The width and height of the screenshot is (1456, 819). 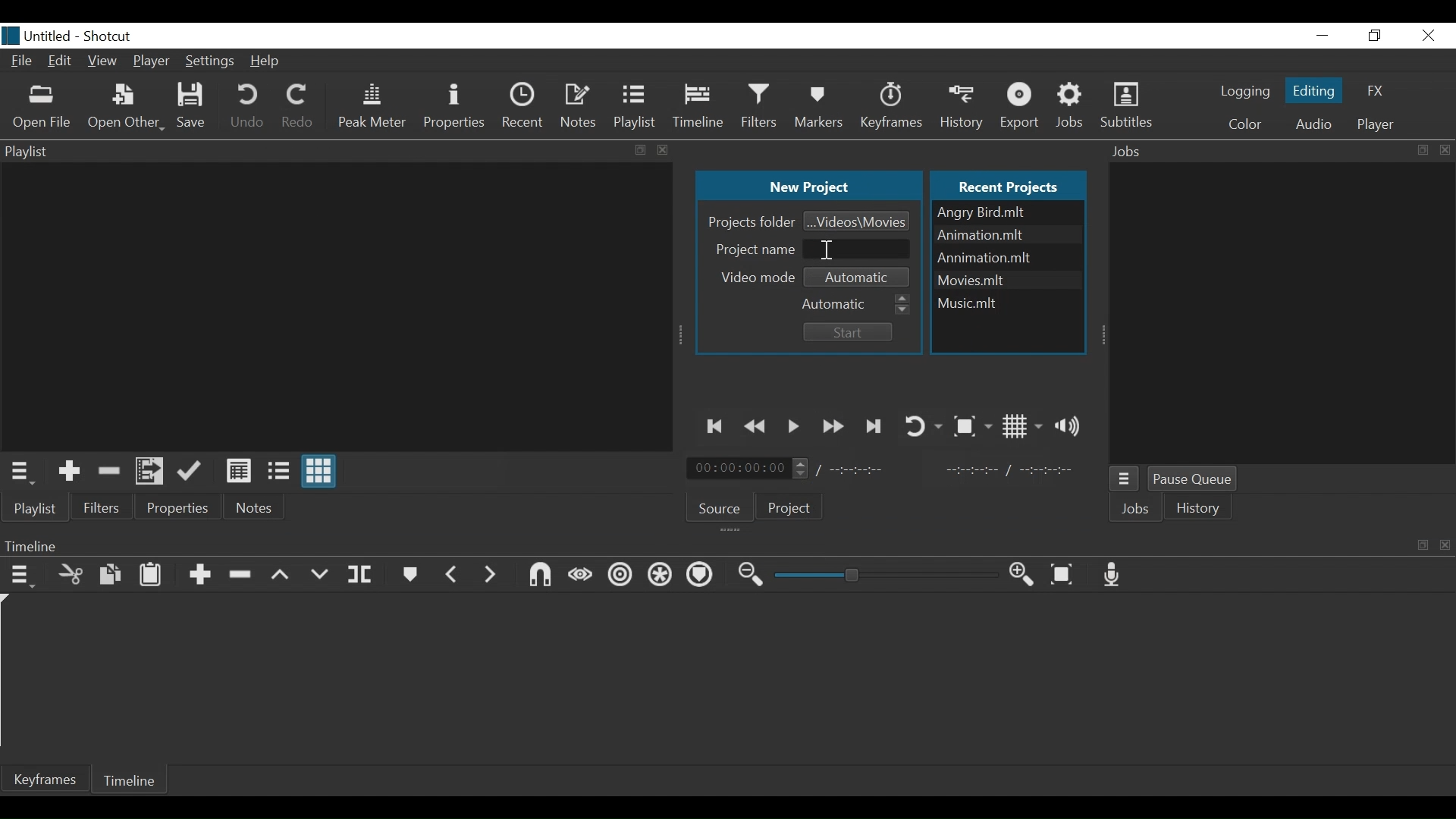 What do you see at coordinates (193, 107) in the screenshot?
I see `Save` at bounding box center [193, 107].